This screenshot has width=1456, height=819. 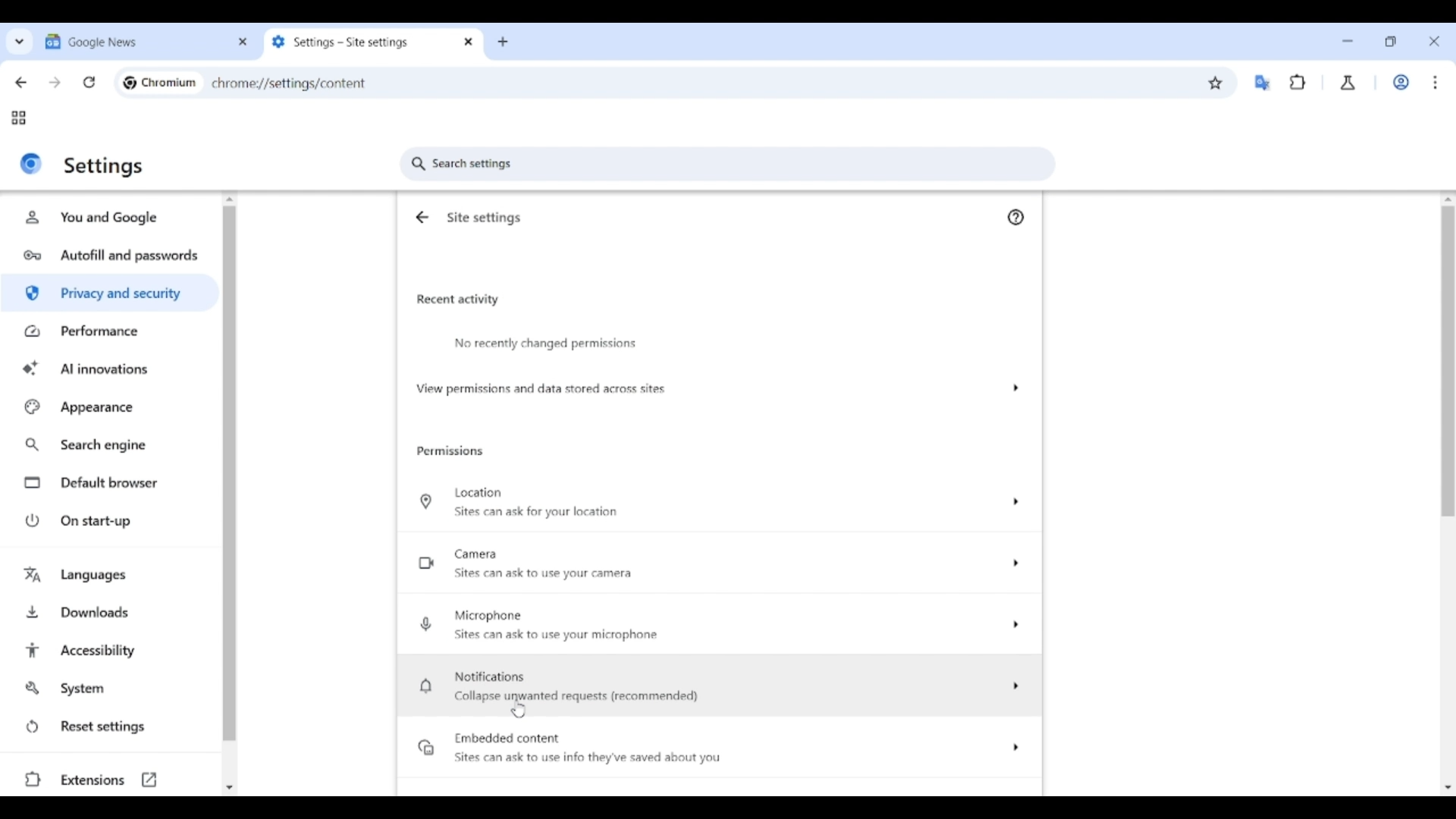 I want to click on Accessibility, so click(x=111, y=651).